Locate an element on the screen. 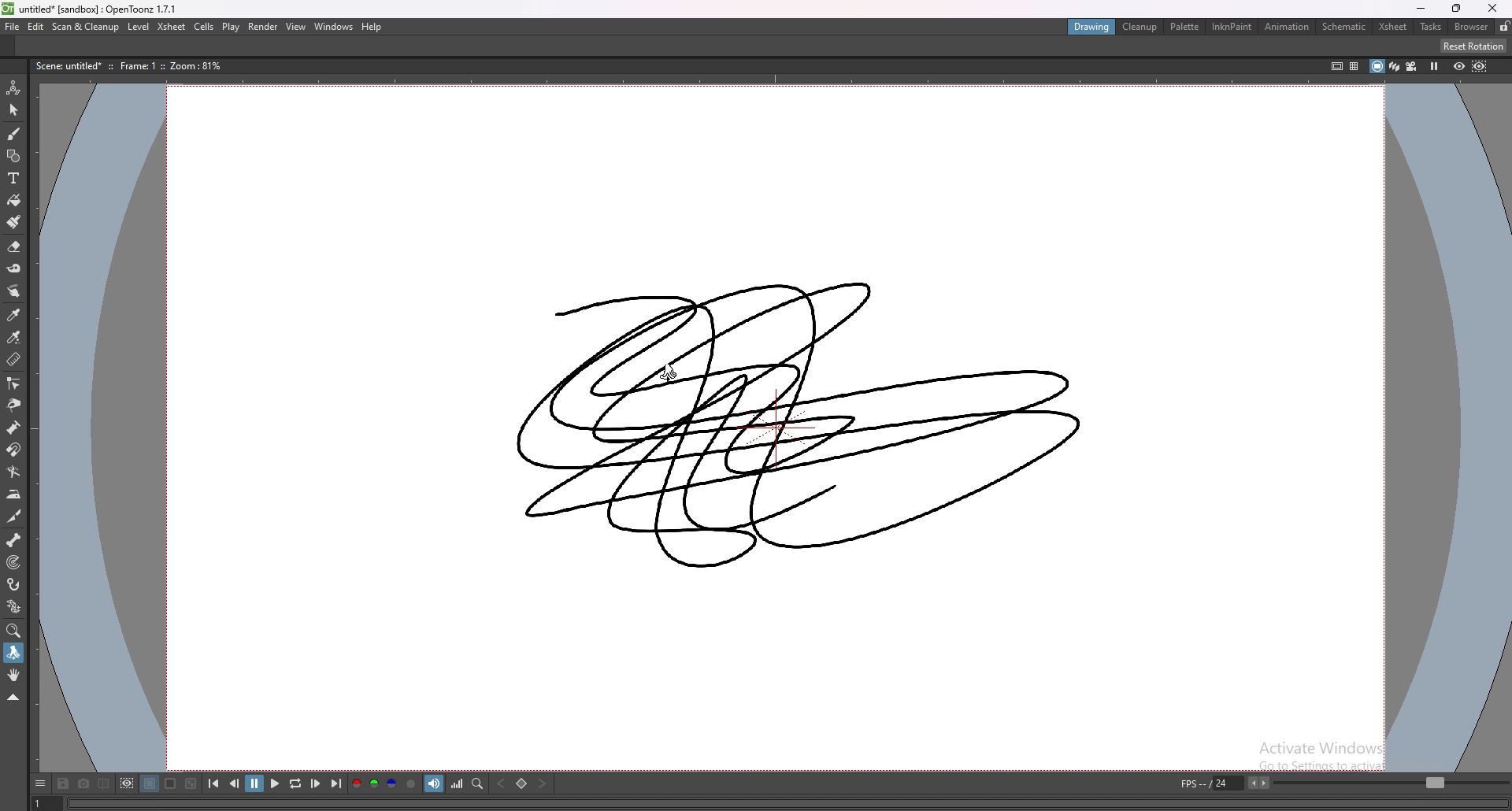 Image resolution: width=1512 pixels, height=811 pixels. white background is located at coordinates (171, 784).